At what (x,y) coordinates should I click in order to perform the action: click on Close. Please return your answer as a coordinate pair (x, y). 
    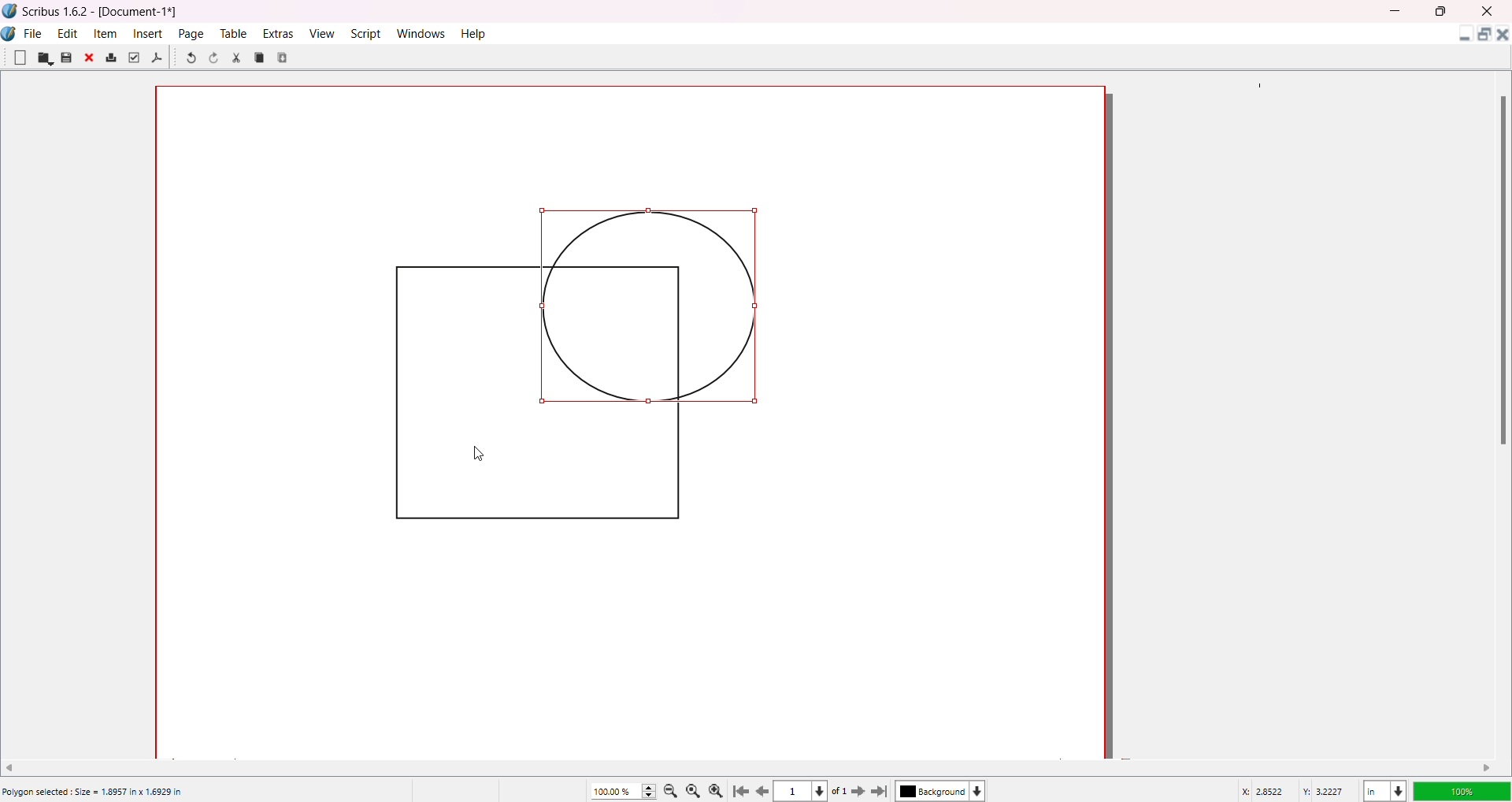
    Looking at the image, I should click on (91, 59).